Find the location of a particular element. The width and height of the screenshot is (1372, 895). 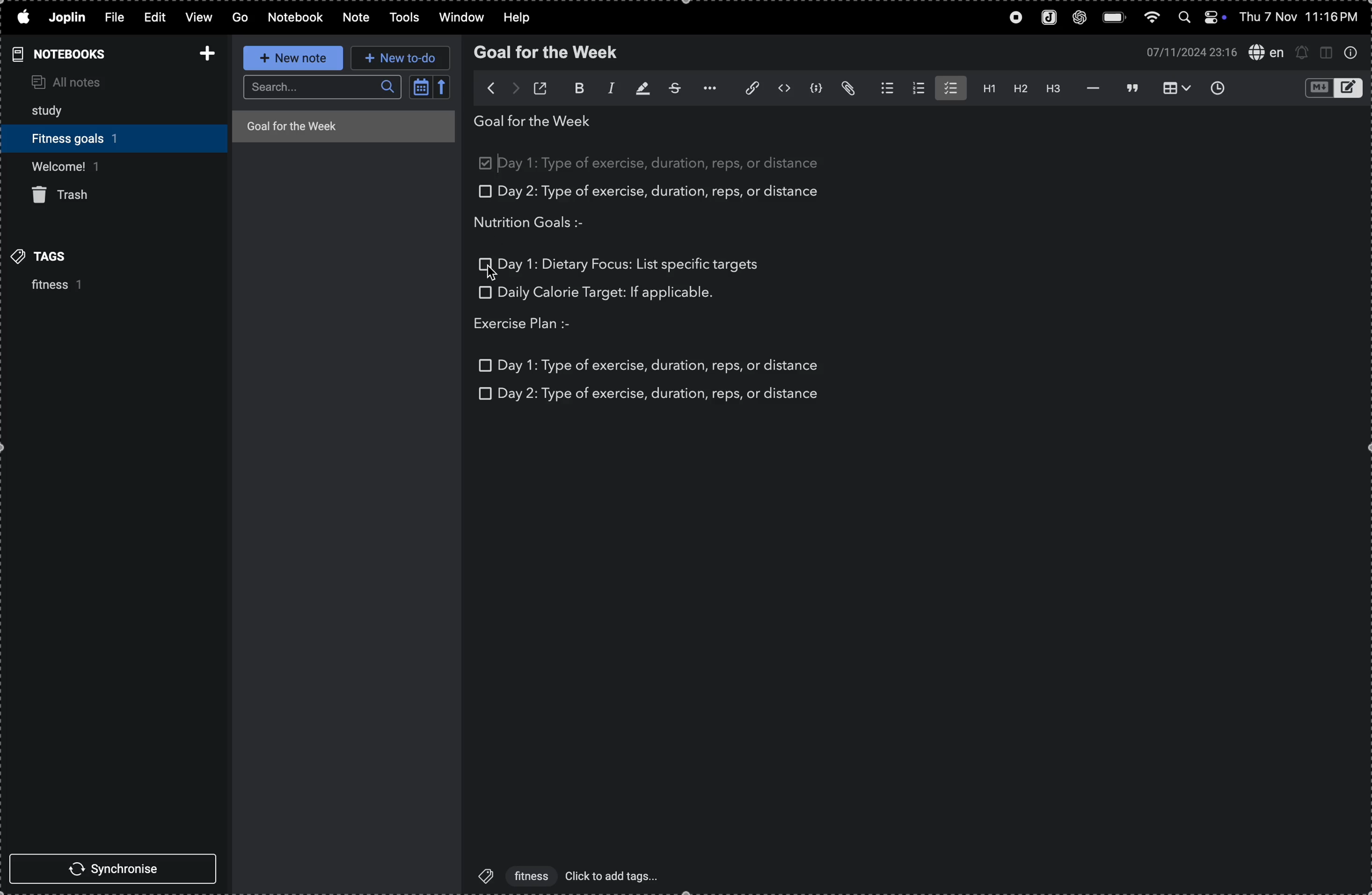

heading 3 is located at coordinates (1051, 88).